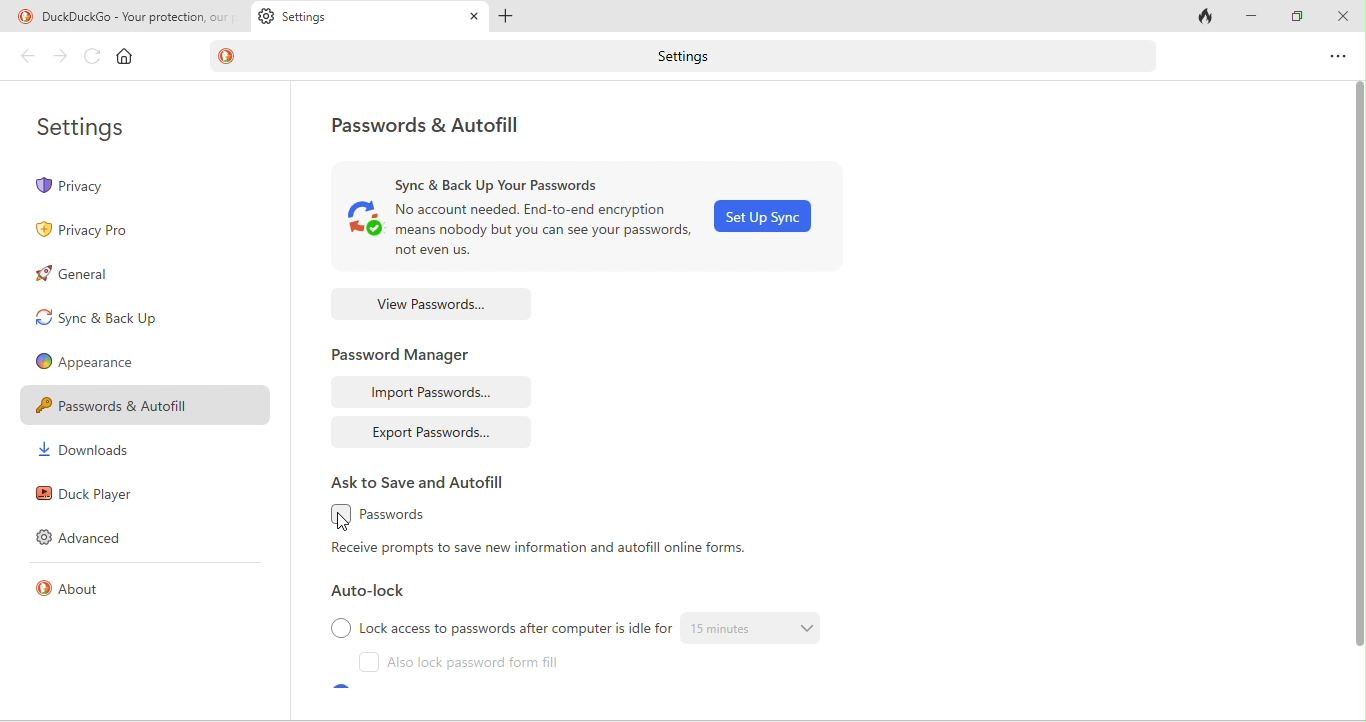 This screenshot has width=1366, height=722. What do you see at coordinates (548, 551) in the screenshot?
I see `receive prompts to save new information and autofill online forms` at bounding box center [548, 551].